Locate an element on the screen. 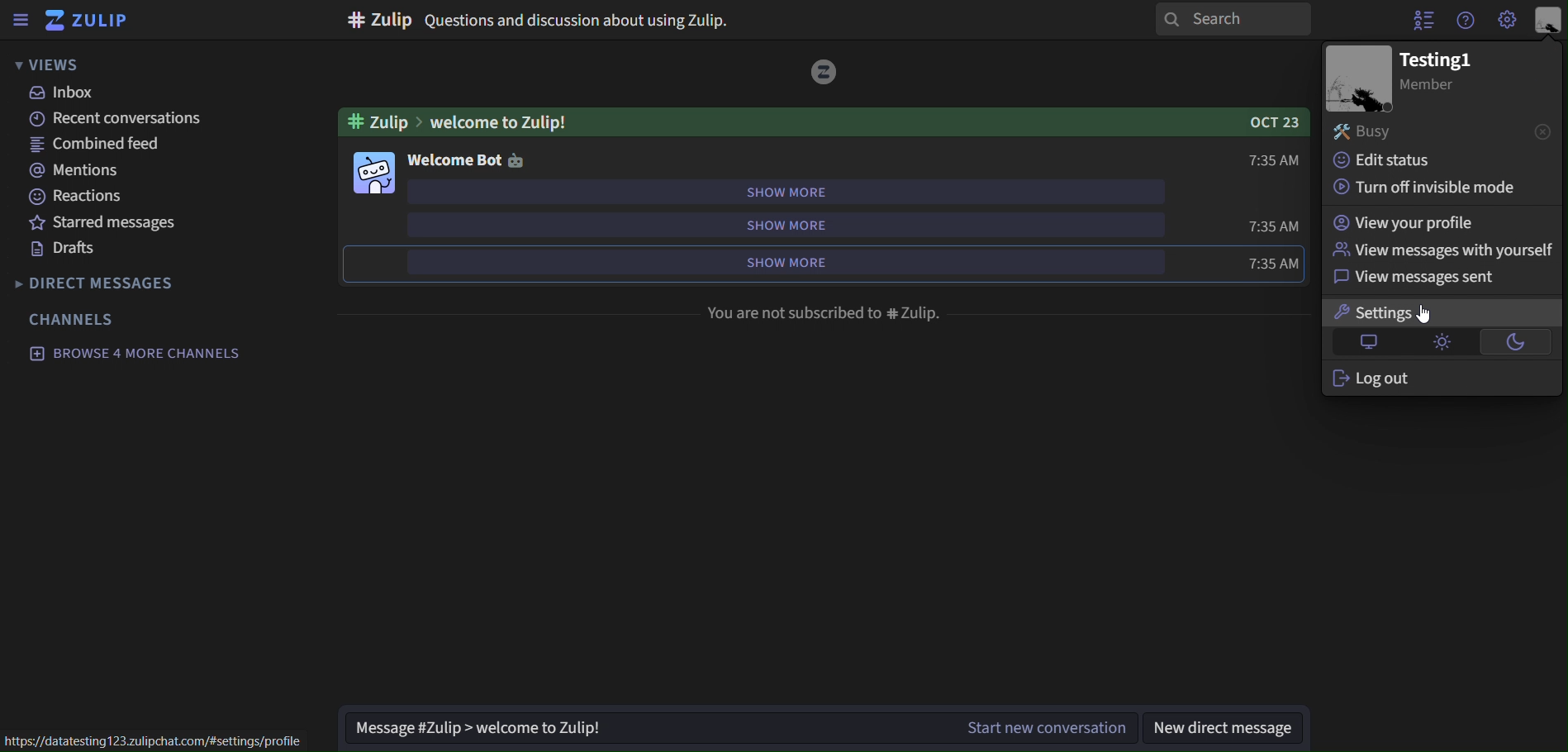 The image size is (1568, 752). image is located at coordinates (824, 70).